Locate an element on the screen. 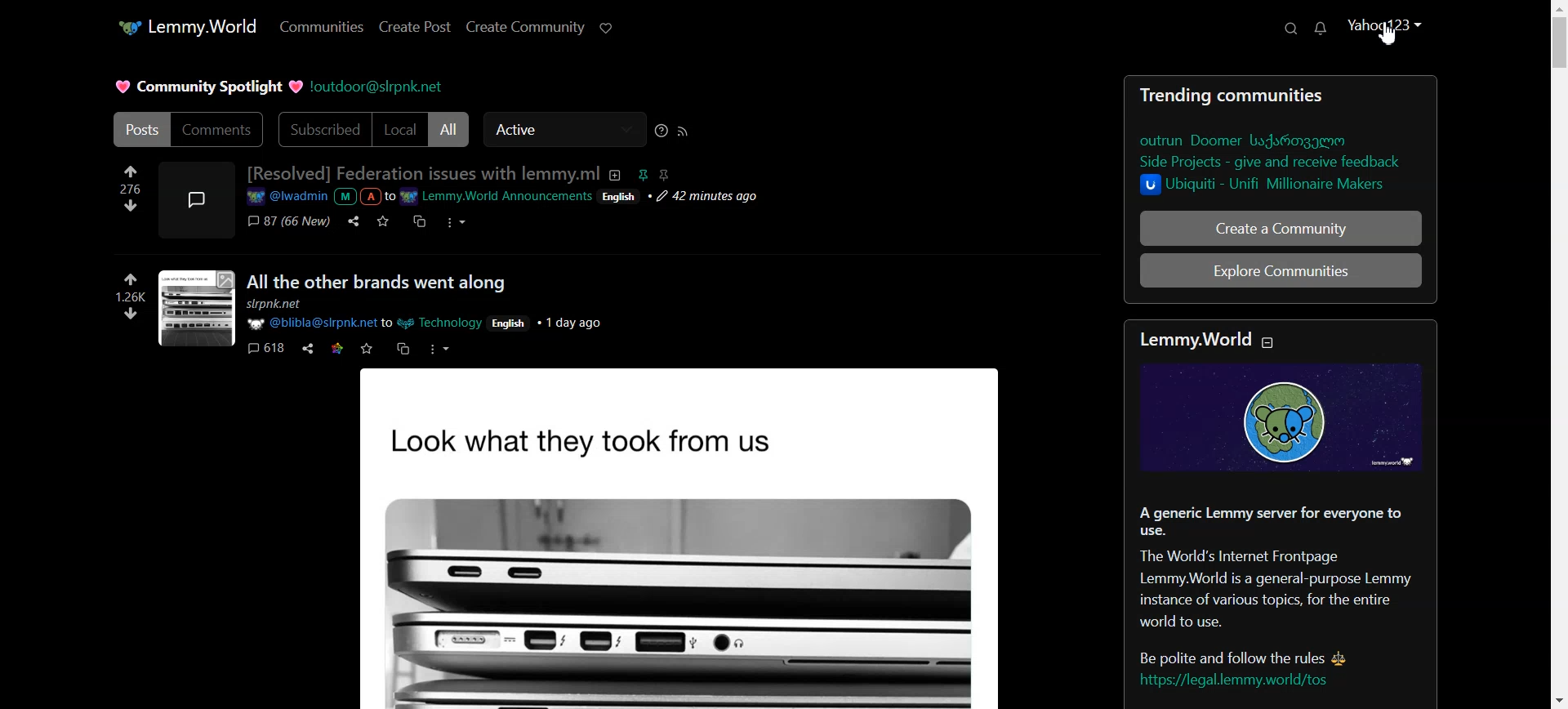  87 (66 New) is located at coordinates (287, 222).